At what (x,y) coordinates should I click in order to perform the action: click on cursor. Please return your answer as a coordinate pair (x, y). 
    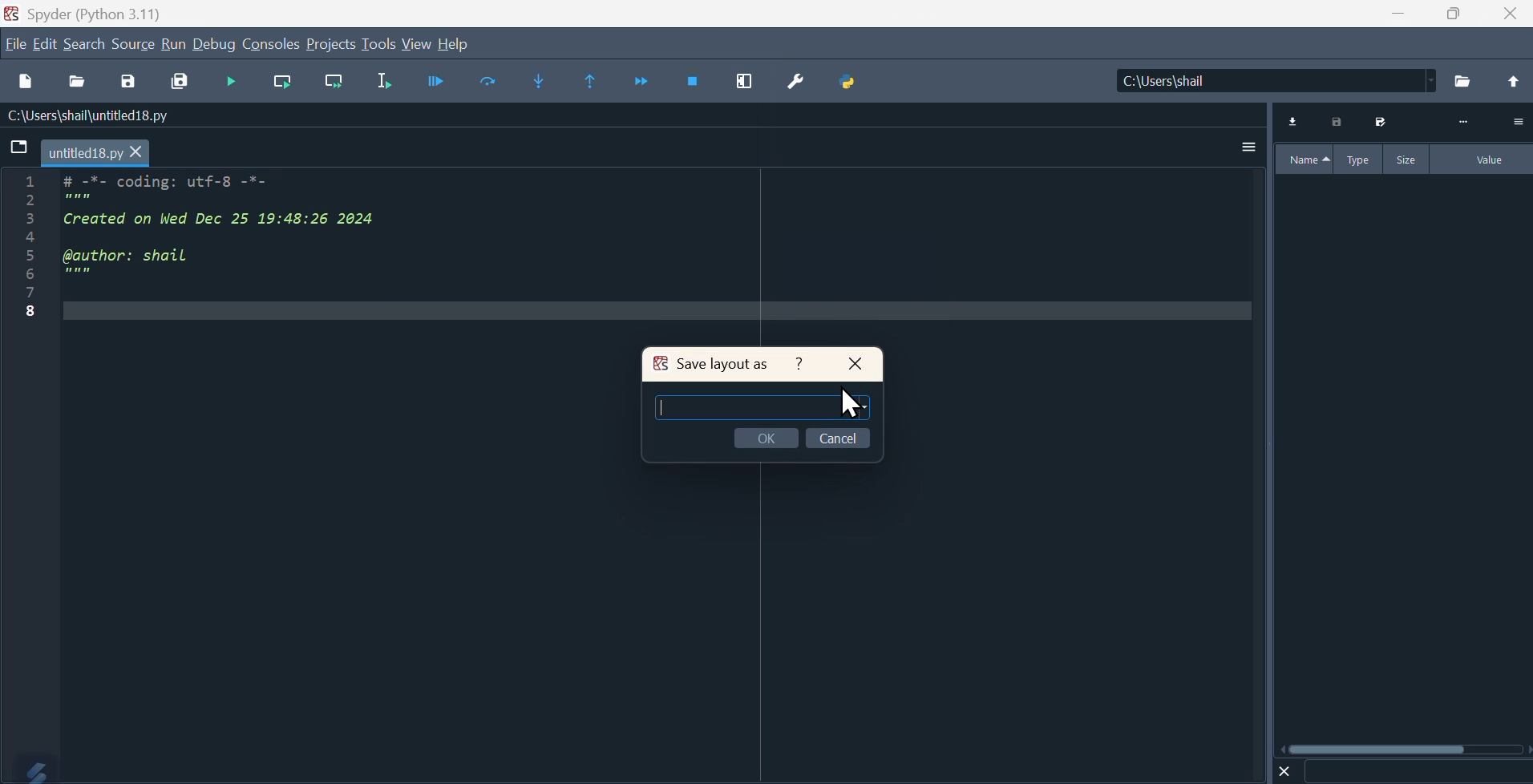
    Looking at the image, I should click on (858, 402).